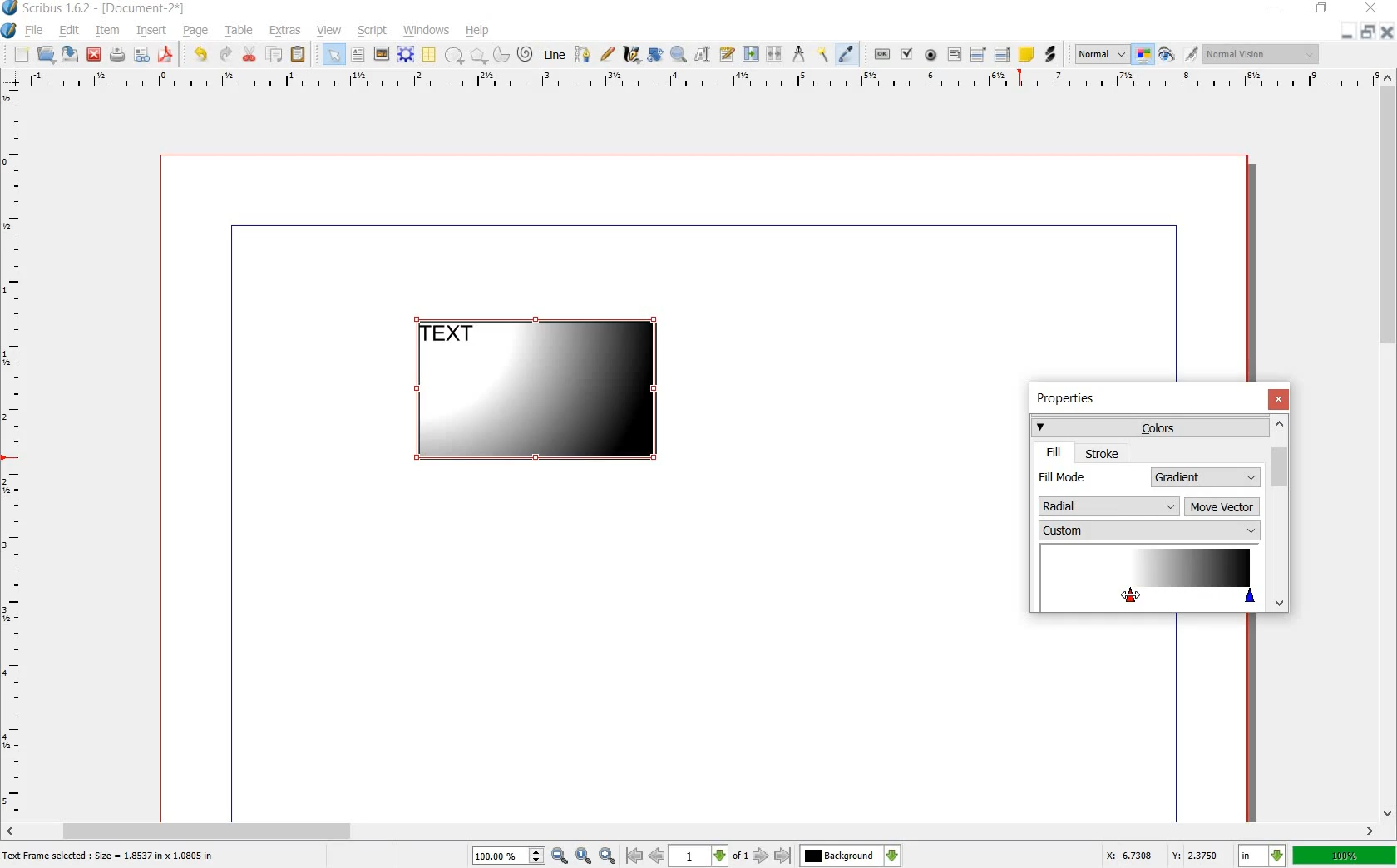 The width and height of the screenshot is (1397, 868). What do you see at coordinates (476, 55) in the screenshot?
I see `polygon` at bounding box center [476, 55].